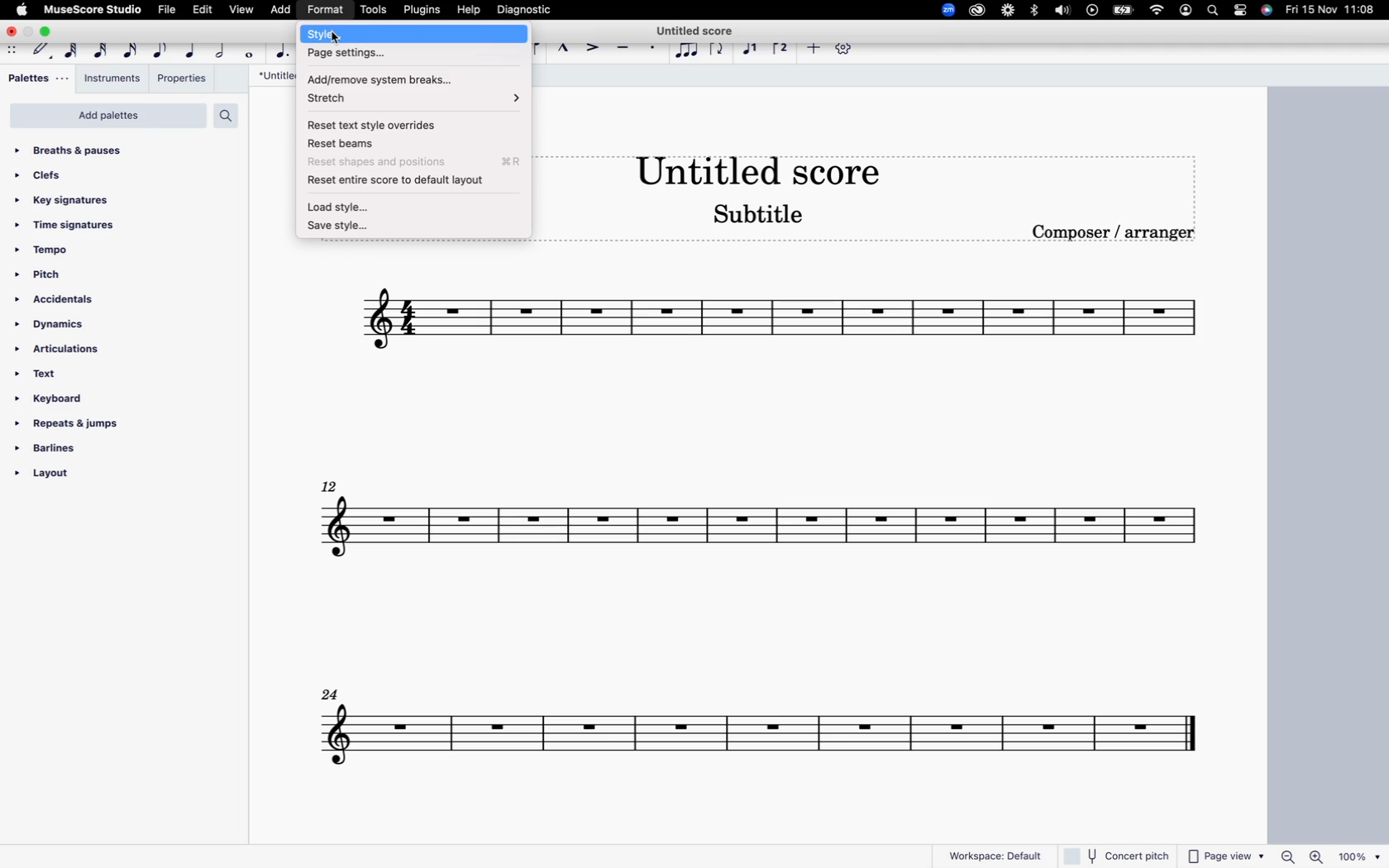 The image size is (1389, 868). Describe the element at coordinates (283, 50) in the screenshot. I see `augmentation dot` at that location.